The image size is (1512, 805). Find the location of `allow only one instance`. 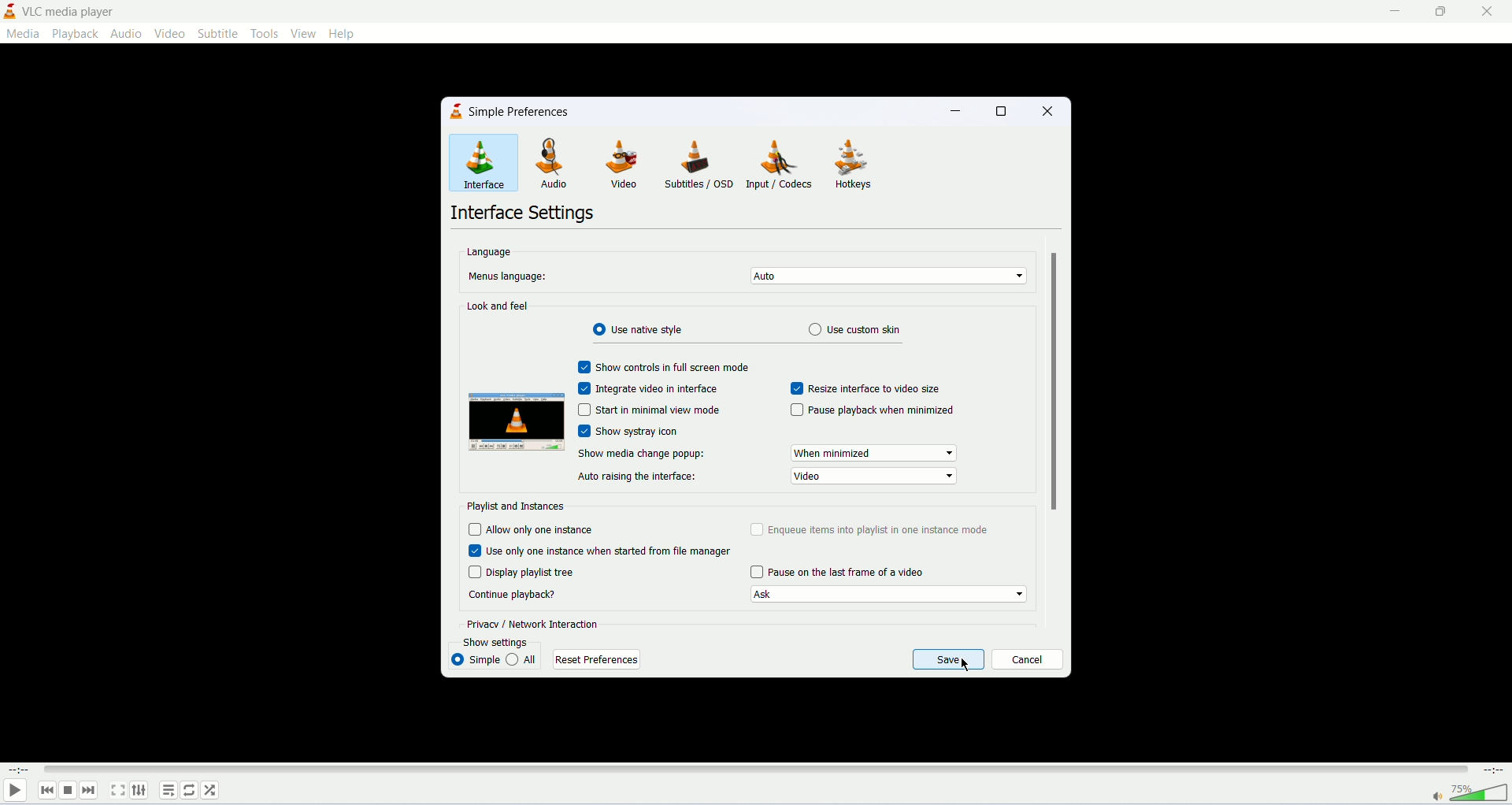

allow only one instance is located at coordinates (532, 530).